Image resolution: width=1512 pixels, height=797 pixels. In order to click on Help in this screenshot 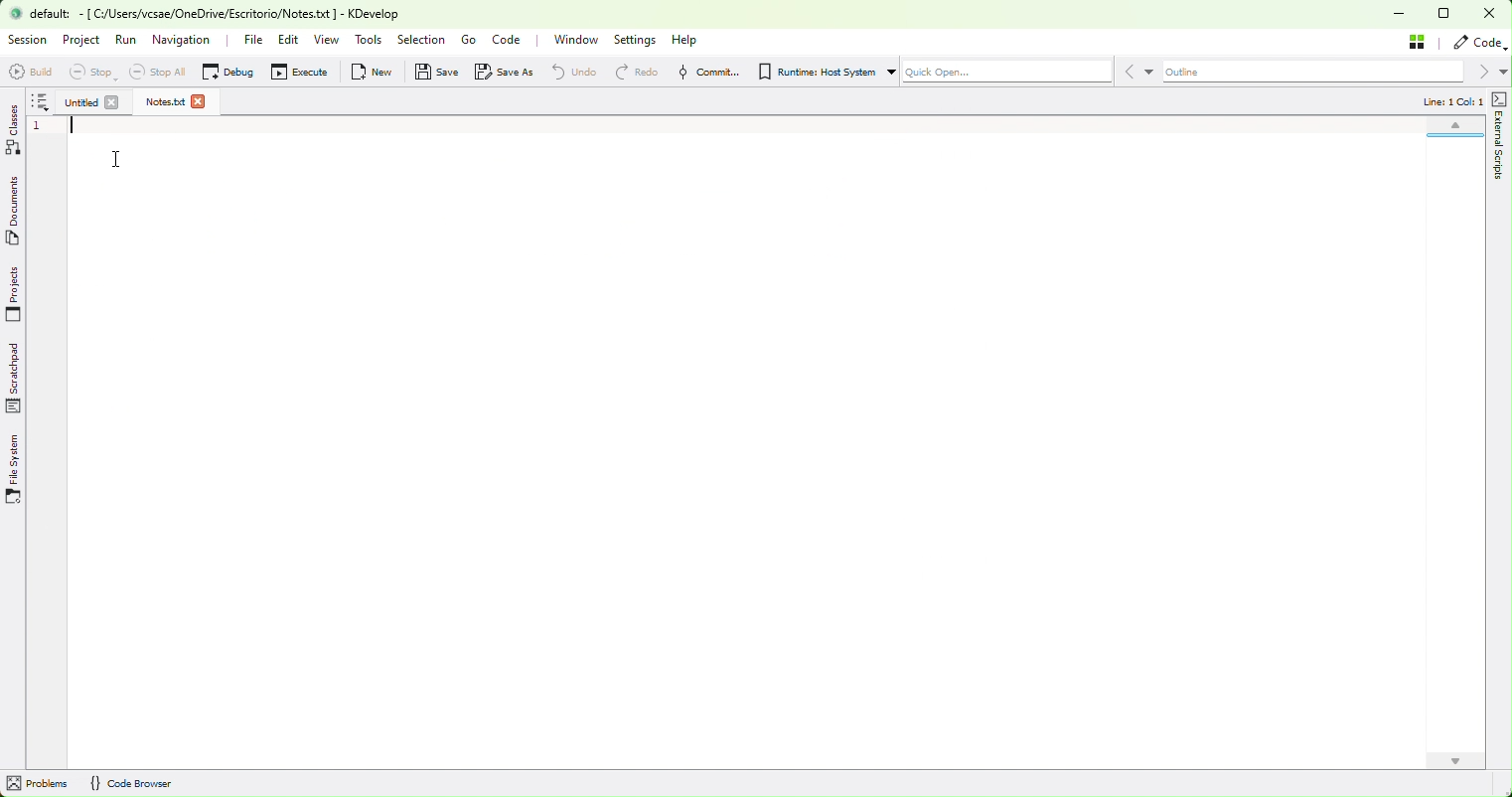, I will do `click(686, 42)`.